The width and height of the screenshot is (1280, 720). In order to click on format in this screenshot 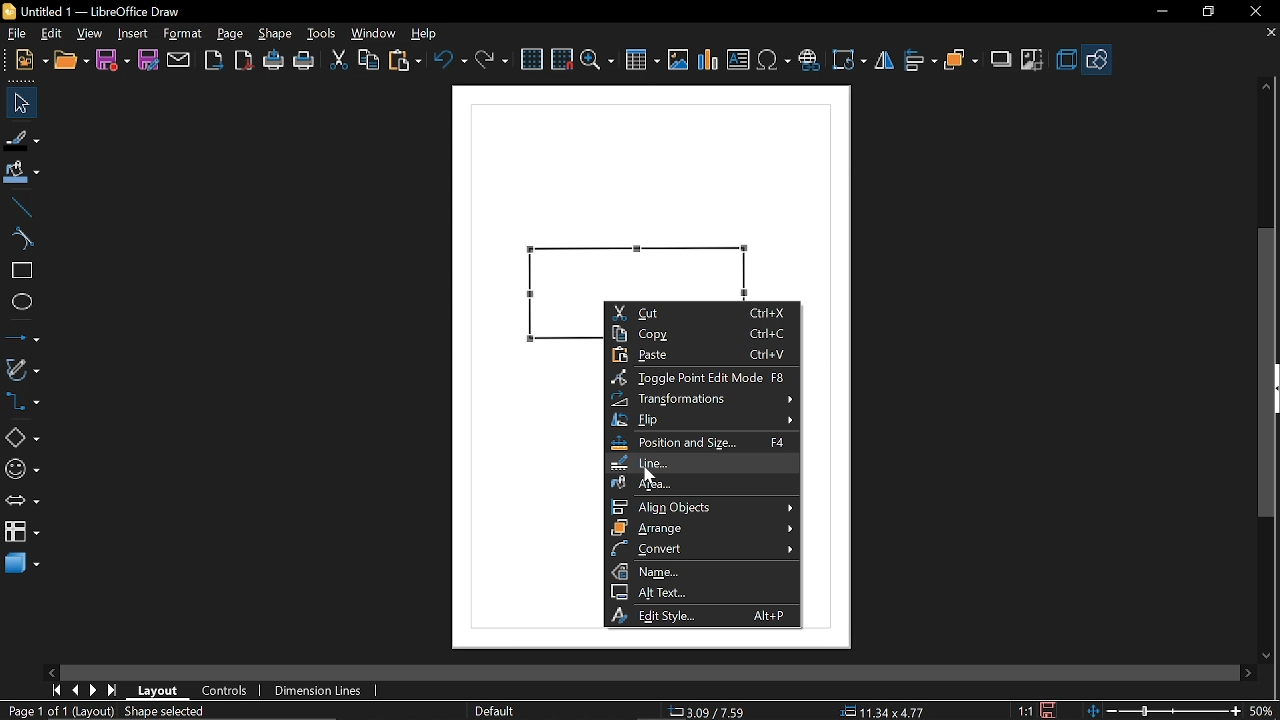, I will do `click(186, 34)`.